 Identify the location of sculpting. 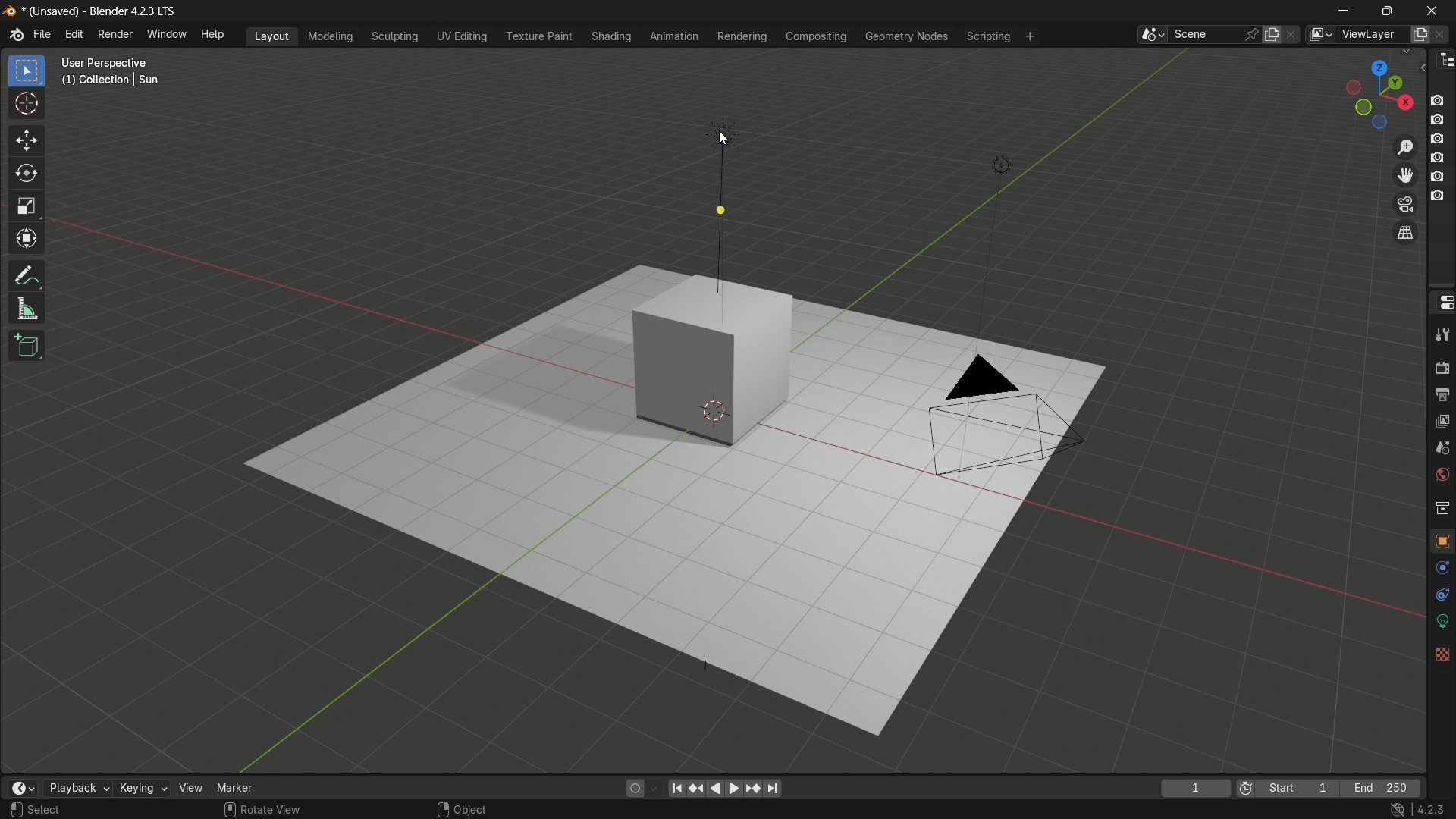
(394, 37).